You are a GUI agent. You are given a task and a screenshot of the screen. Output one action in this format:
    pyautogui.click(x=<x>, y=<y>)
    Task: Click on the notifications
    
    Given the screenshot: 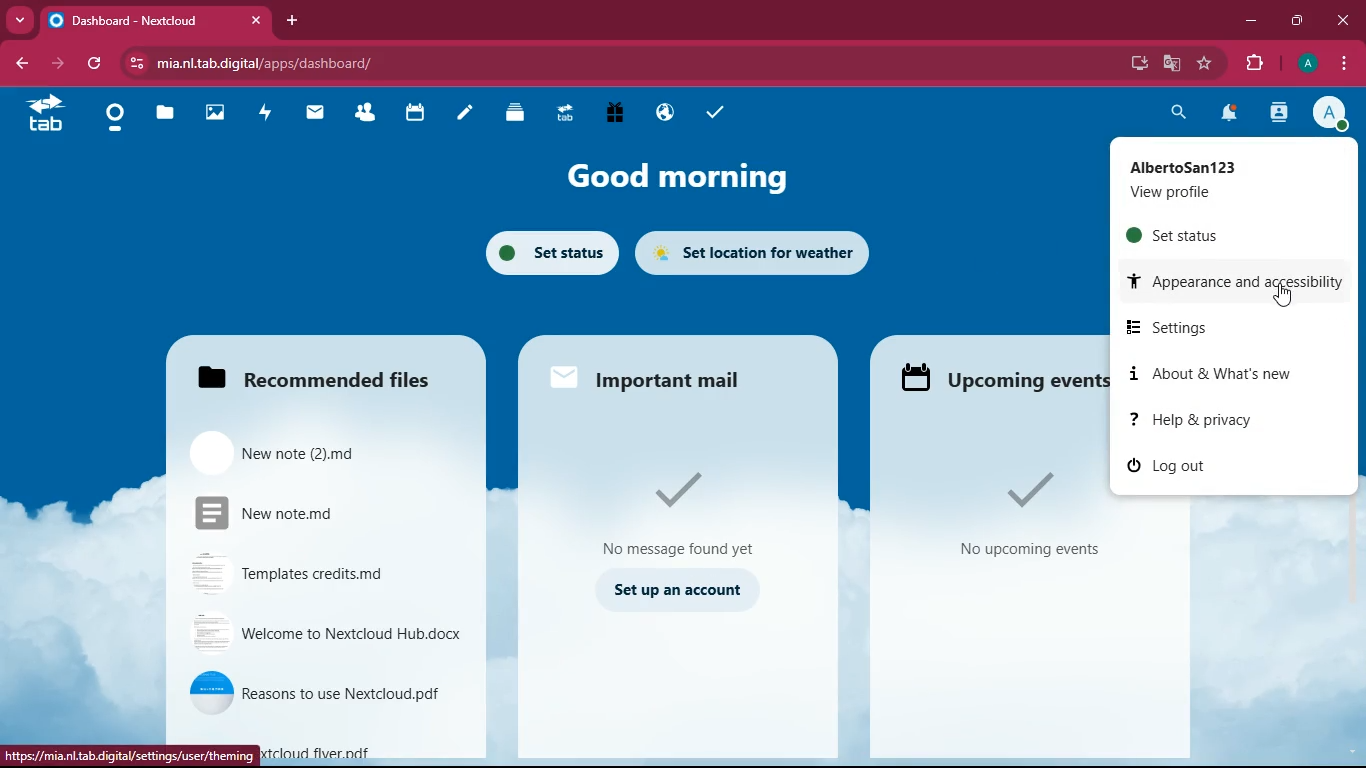 What is the action you would take?
    pyautogui.click(x=1228, y=116)
    